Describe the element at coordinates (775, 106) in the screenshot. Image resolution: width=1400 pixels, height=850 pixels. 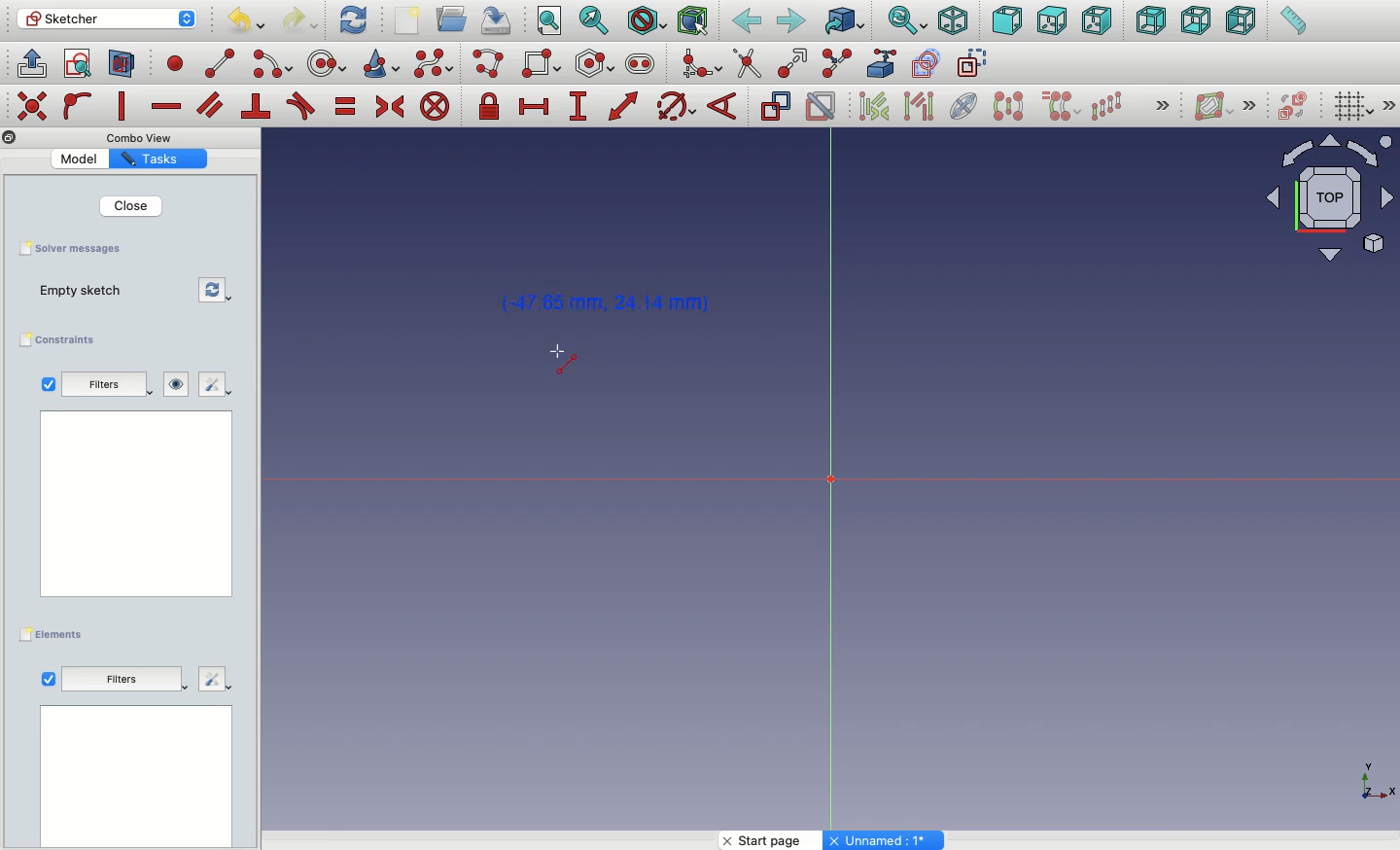
I see `Toggle driving constraint` at that location.